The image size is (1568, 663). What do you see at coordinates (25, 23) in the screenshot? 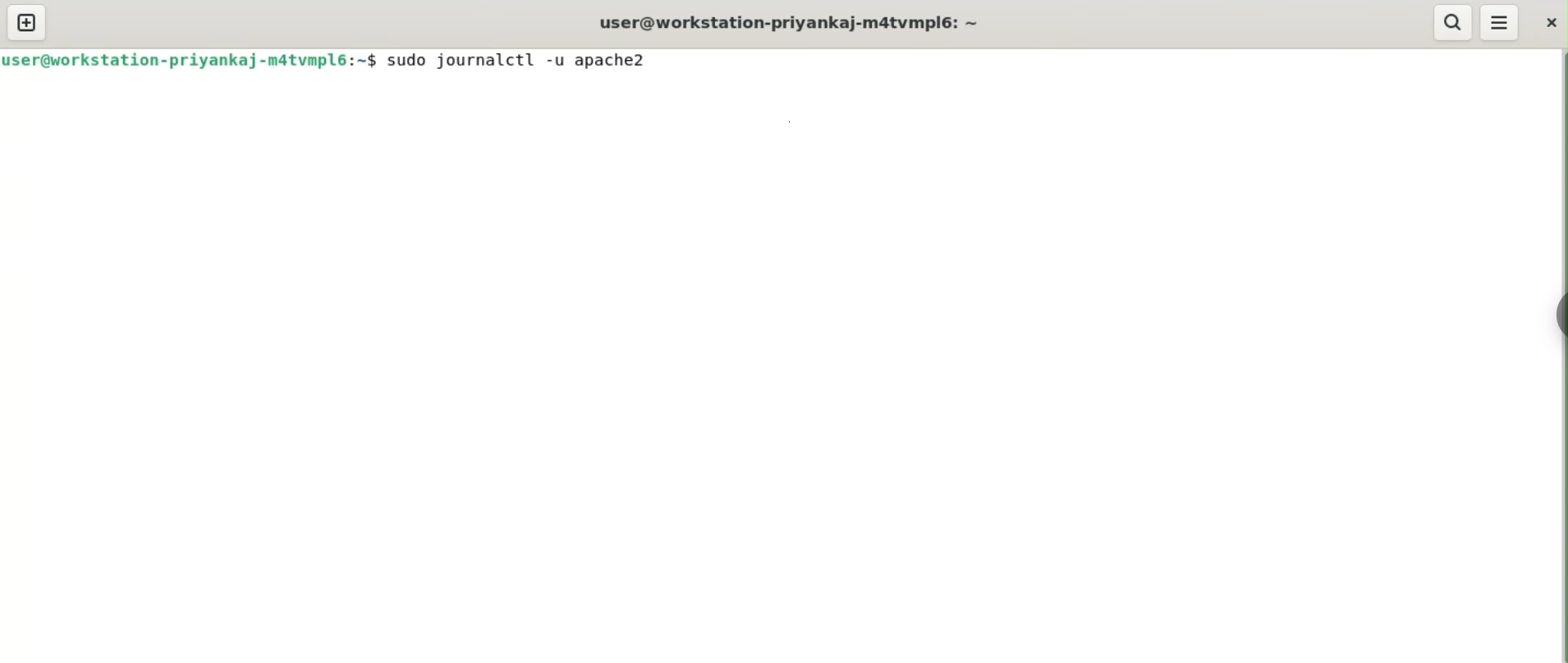
I see `new tab` at bounding box center [25, 23].